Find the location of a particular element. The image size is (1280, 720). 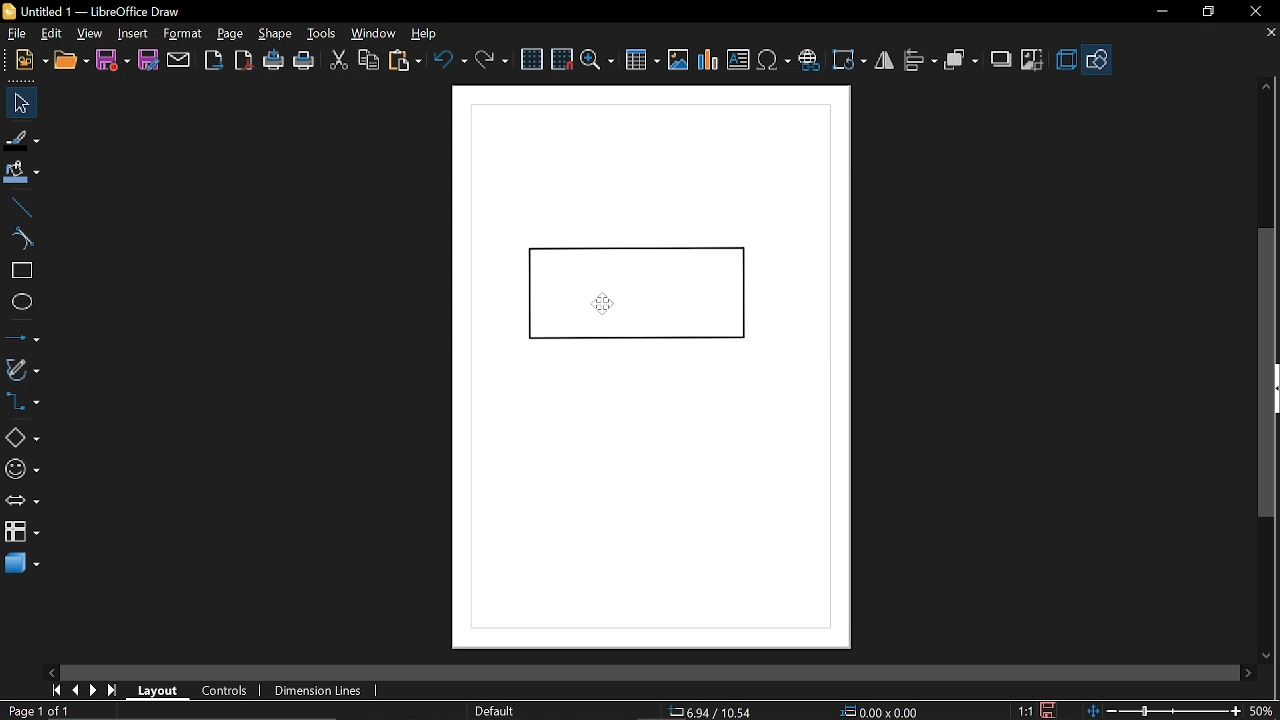

line is located at coordinates (20, 208).